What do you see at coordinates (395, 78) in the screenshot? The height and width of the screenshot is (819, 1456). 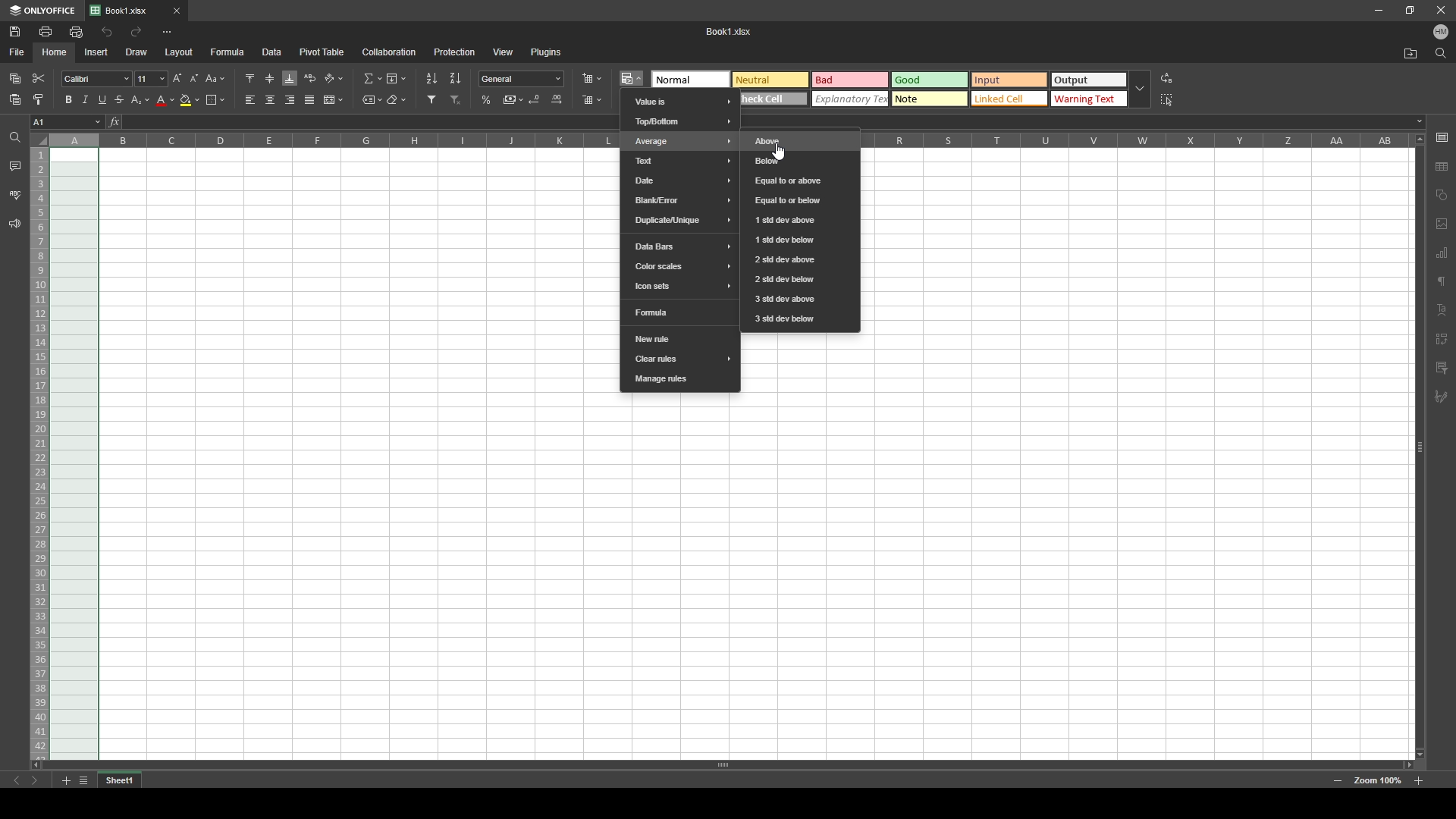 I see `fill` at bounding box center [395, 78].